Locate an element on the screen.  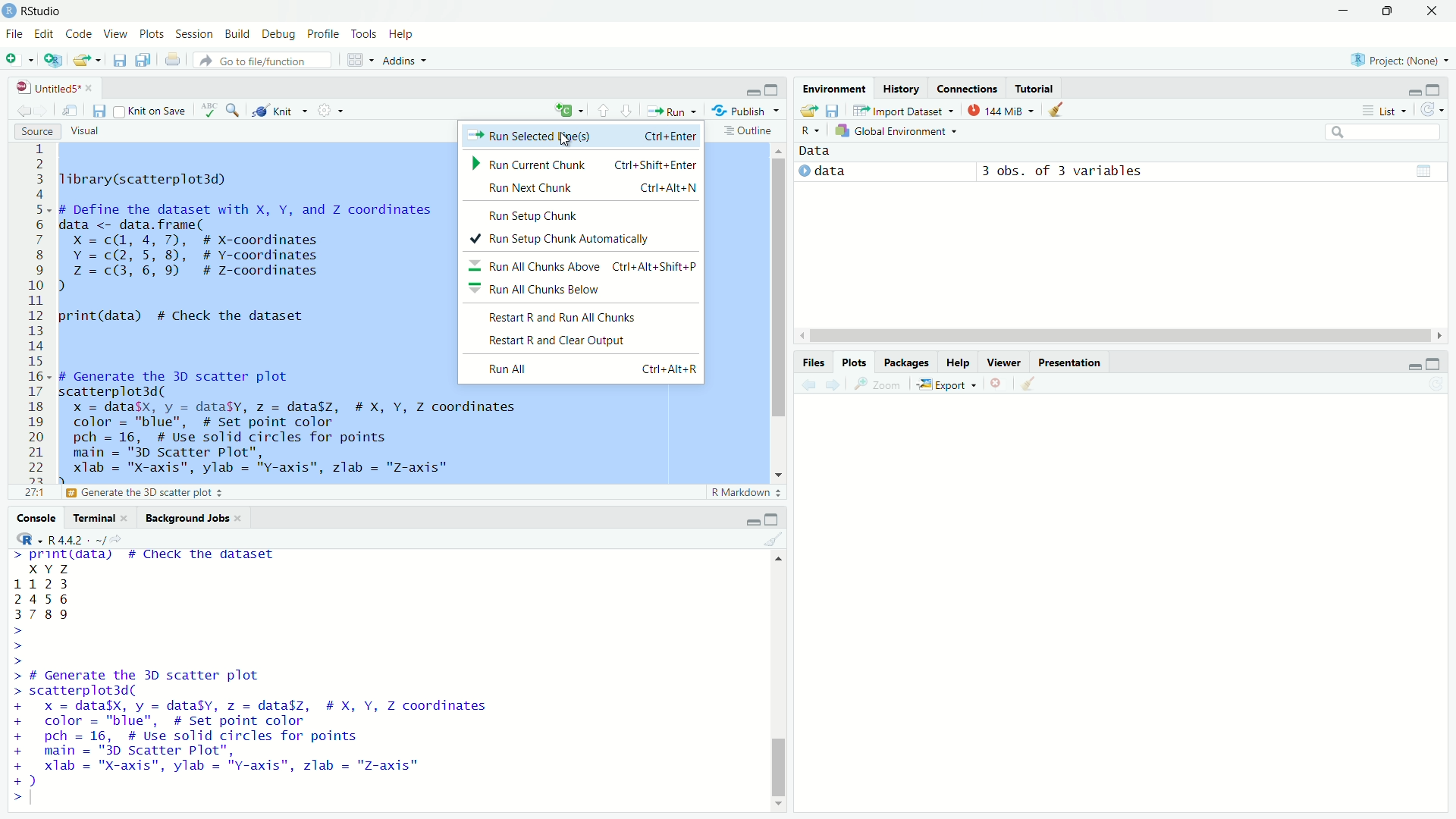
project: (None) is located at coordinates (1403, 60).